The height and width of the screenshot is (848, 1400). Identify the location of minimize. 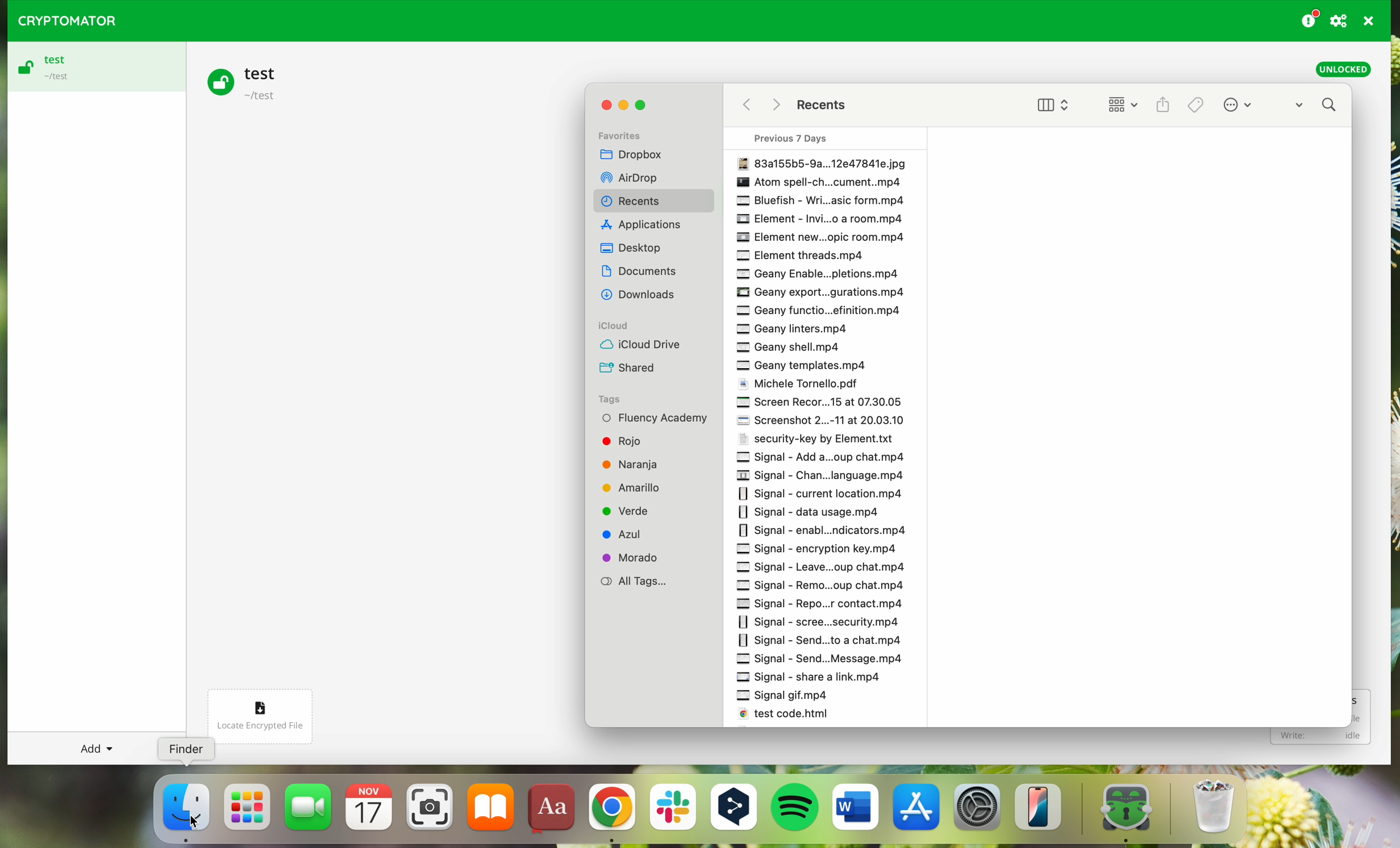
(622, 106).